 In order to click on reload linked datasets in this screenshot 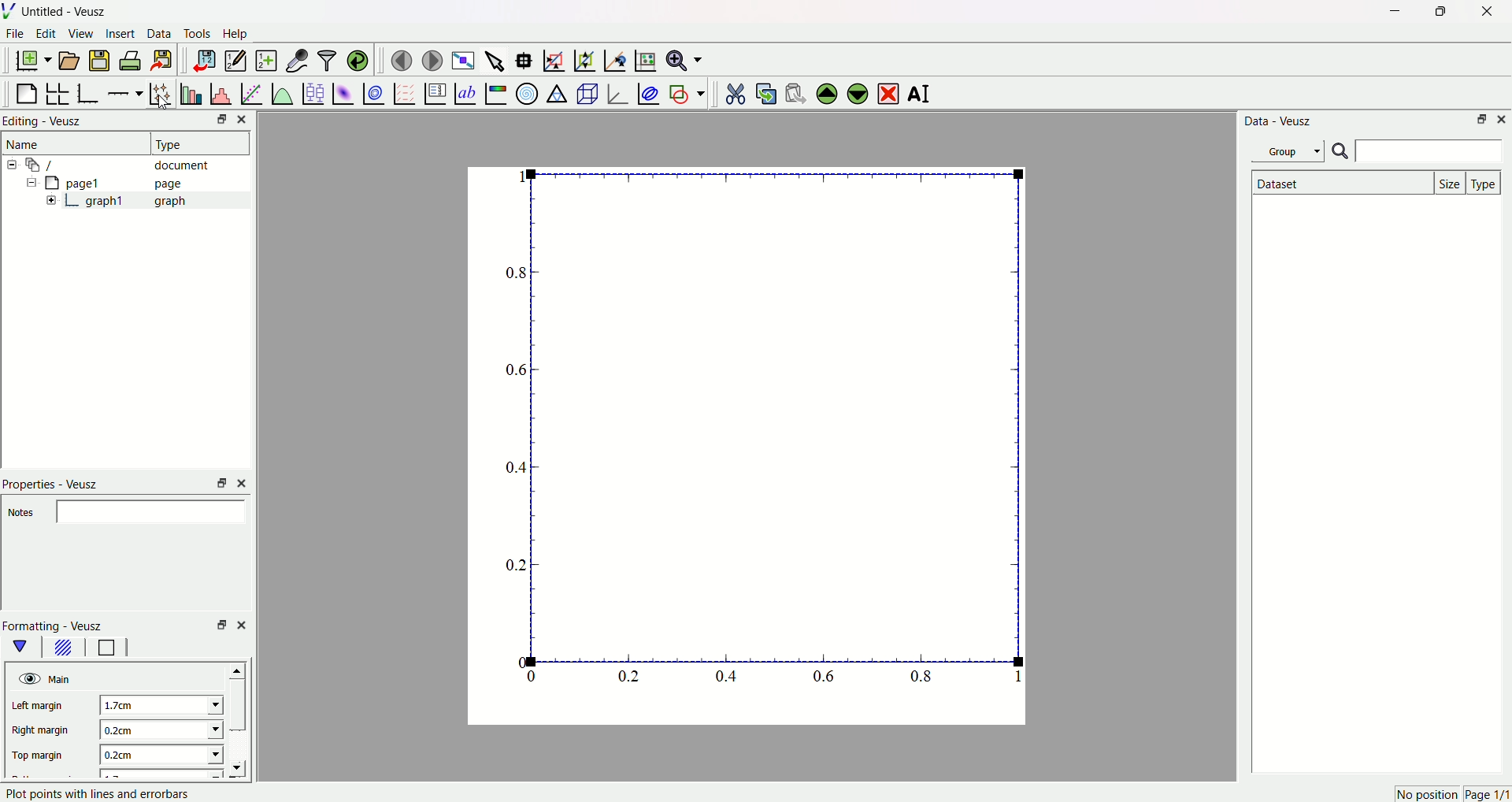, I will do `click(358, 58)`.